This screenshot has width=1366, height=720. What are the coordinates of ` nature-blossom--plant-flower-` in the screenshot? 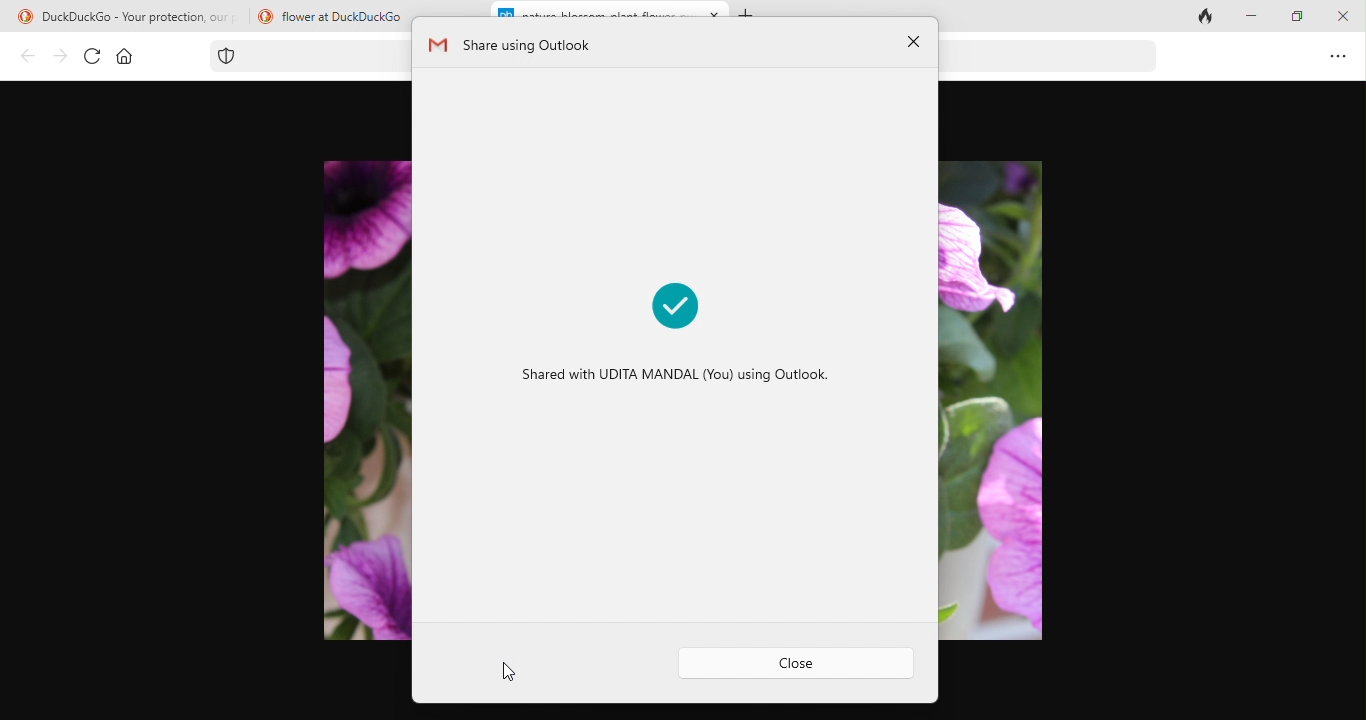 It's located at (595, 12).